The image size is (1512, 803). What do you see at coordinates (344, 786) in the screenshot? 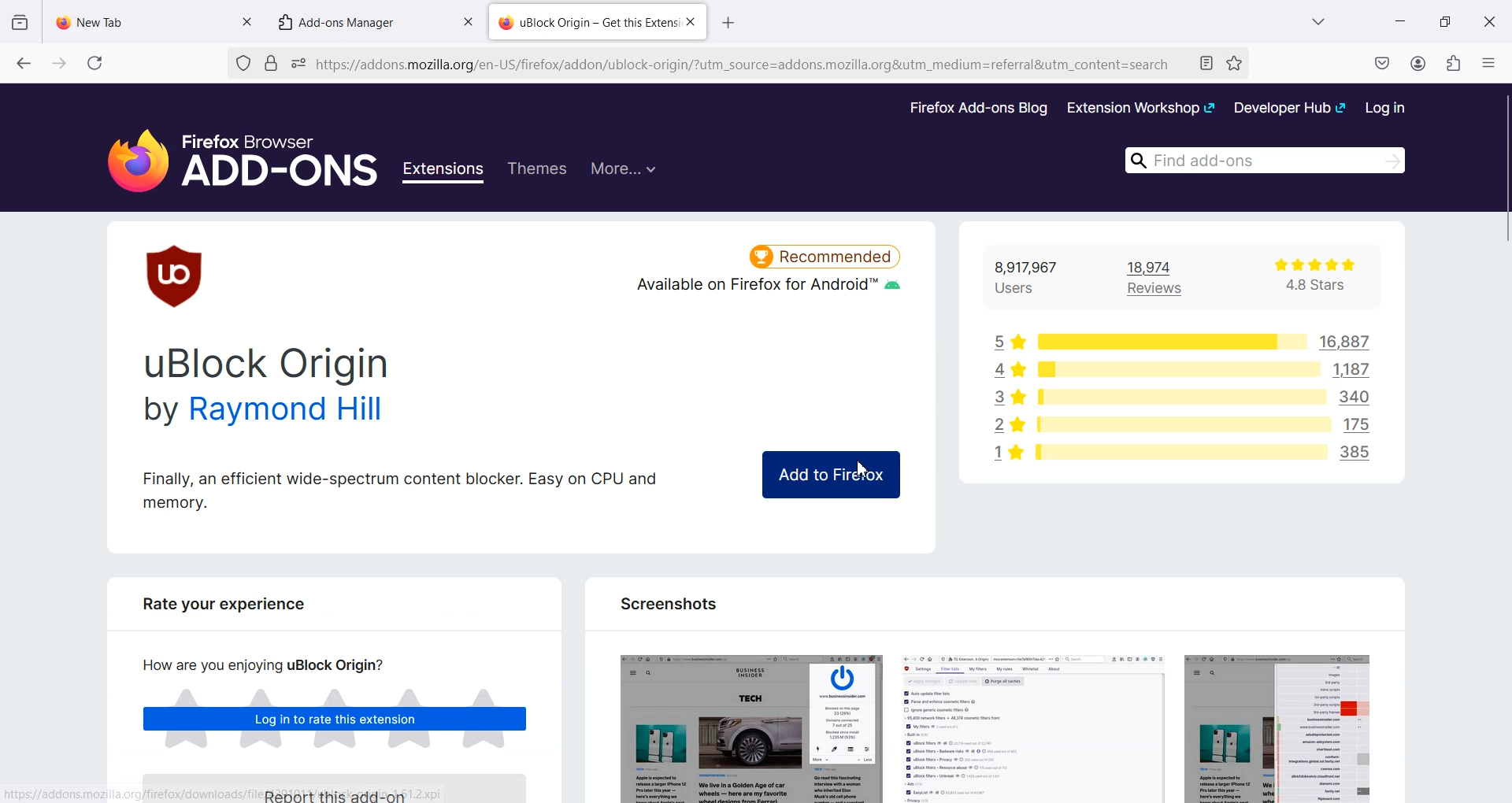
I see `Report this Add-on` at bounding box center [344, 786].